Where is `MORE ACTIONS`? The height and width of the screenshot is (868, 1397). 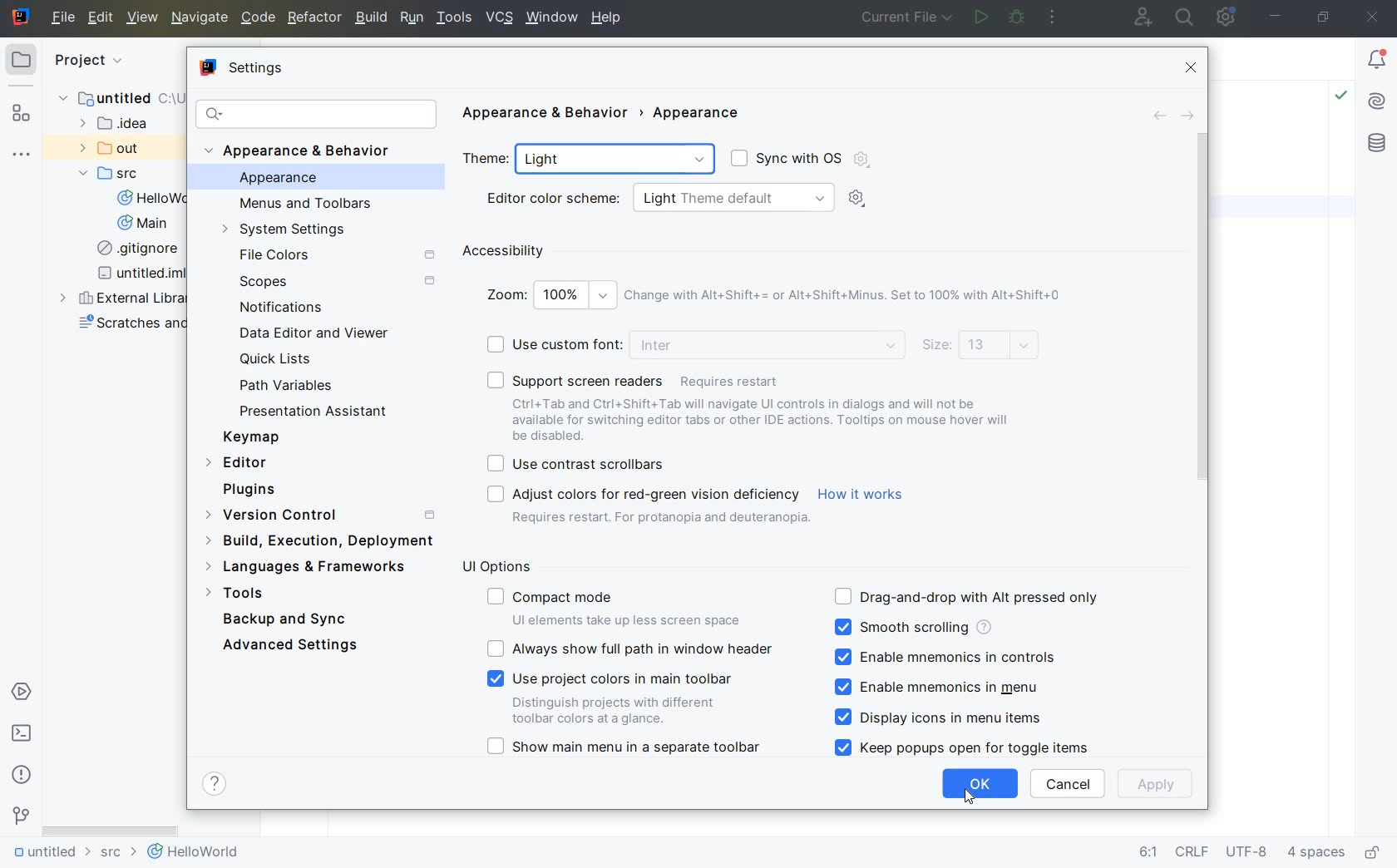 MORE ACTIONS is located at coordinates (1054, 19).